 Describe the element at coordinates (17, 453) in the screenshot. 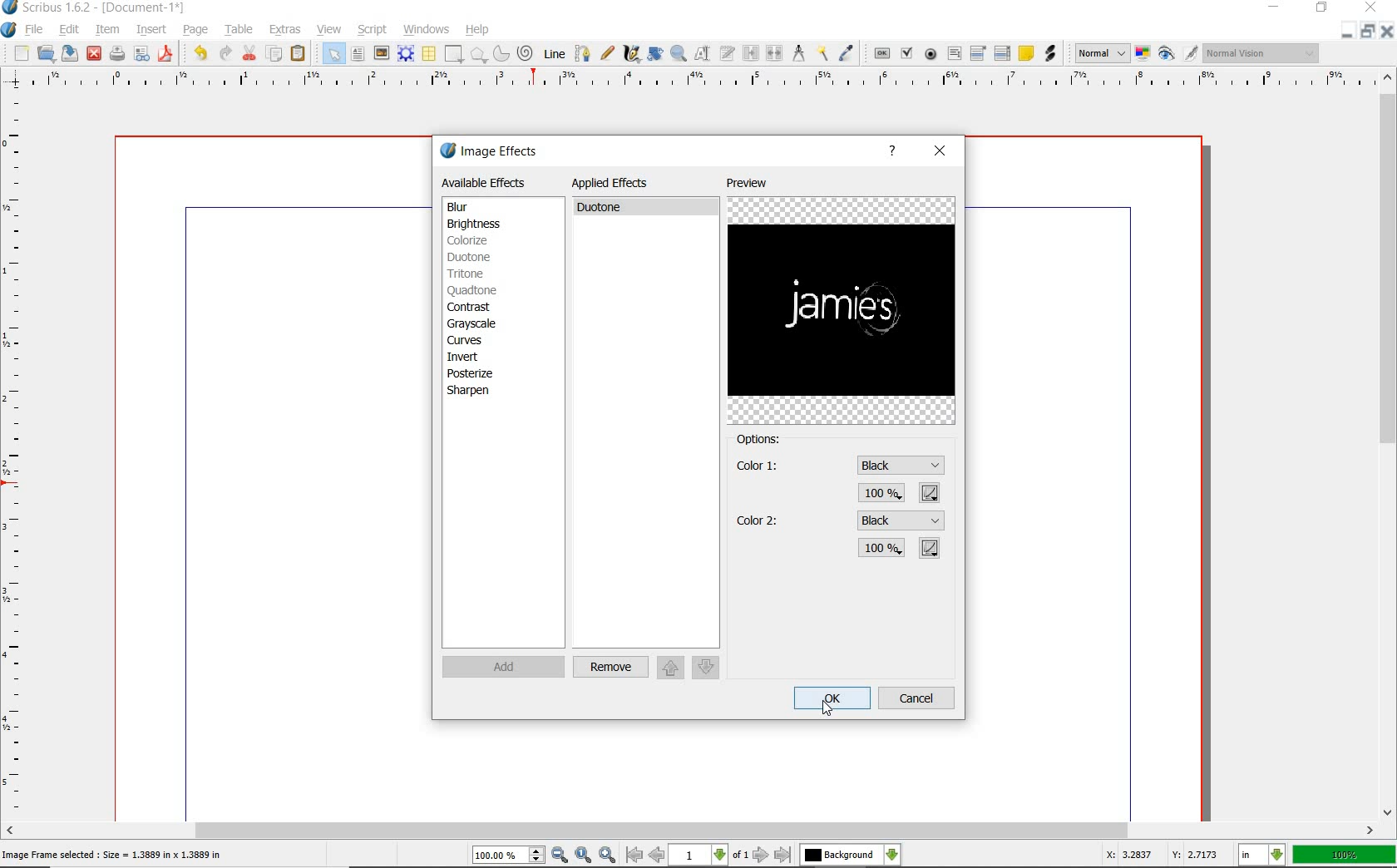

I see `ruler` at that location.